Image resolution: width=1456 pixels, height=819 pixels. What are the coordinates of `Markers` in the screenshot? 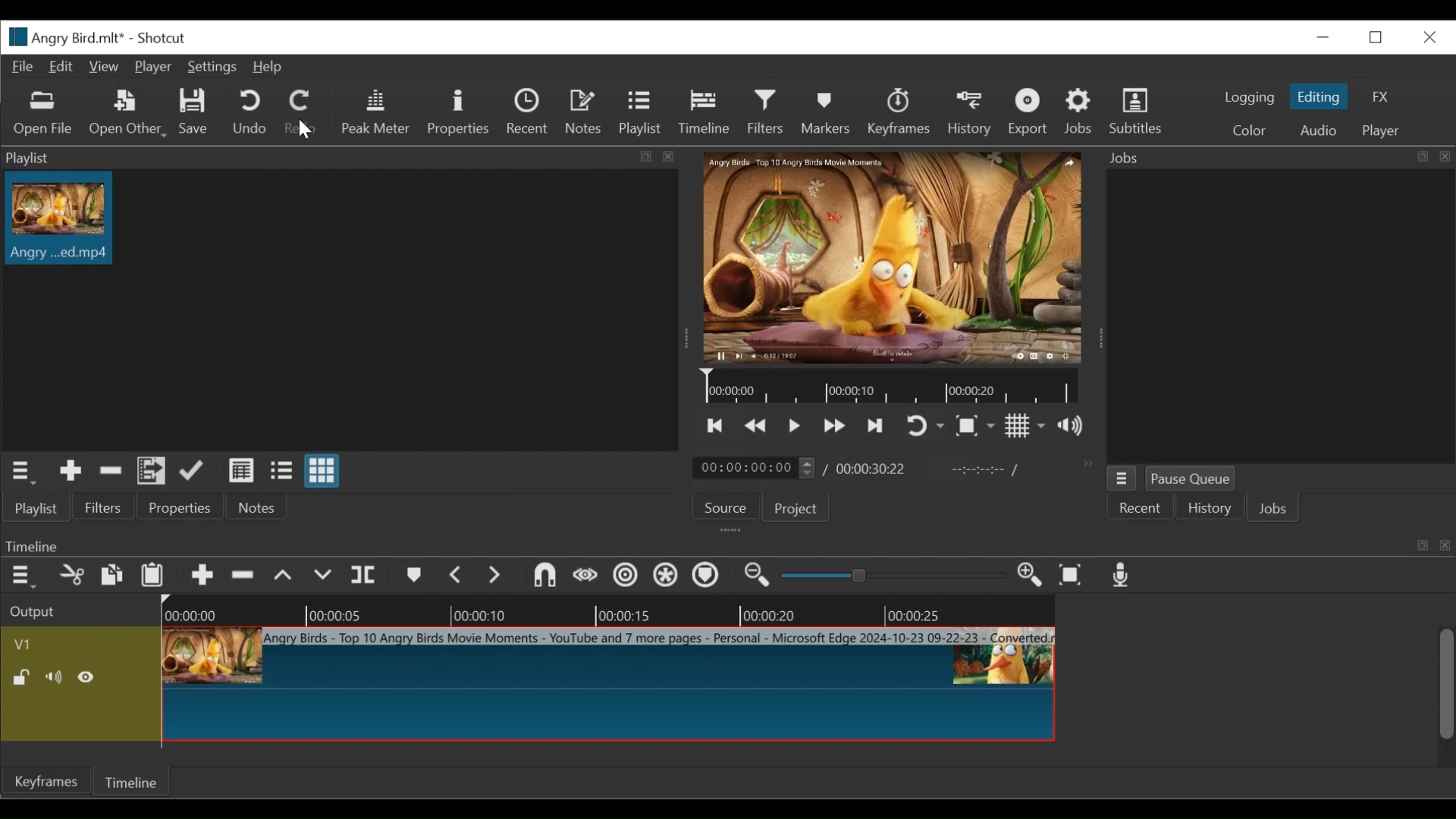 It's located at (823, 111).